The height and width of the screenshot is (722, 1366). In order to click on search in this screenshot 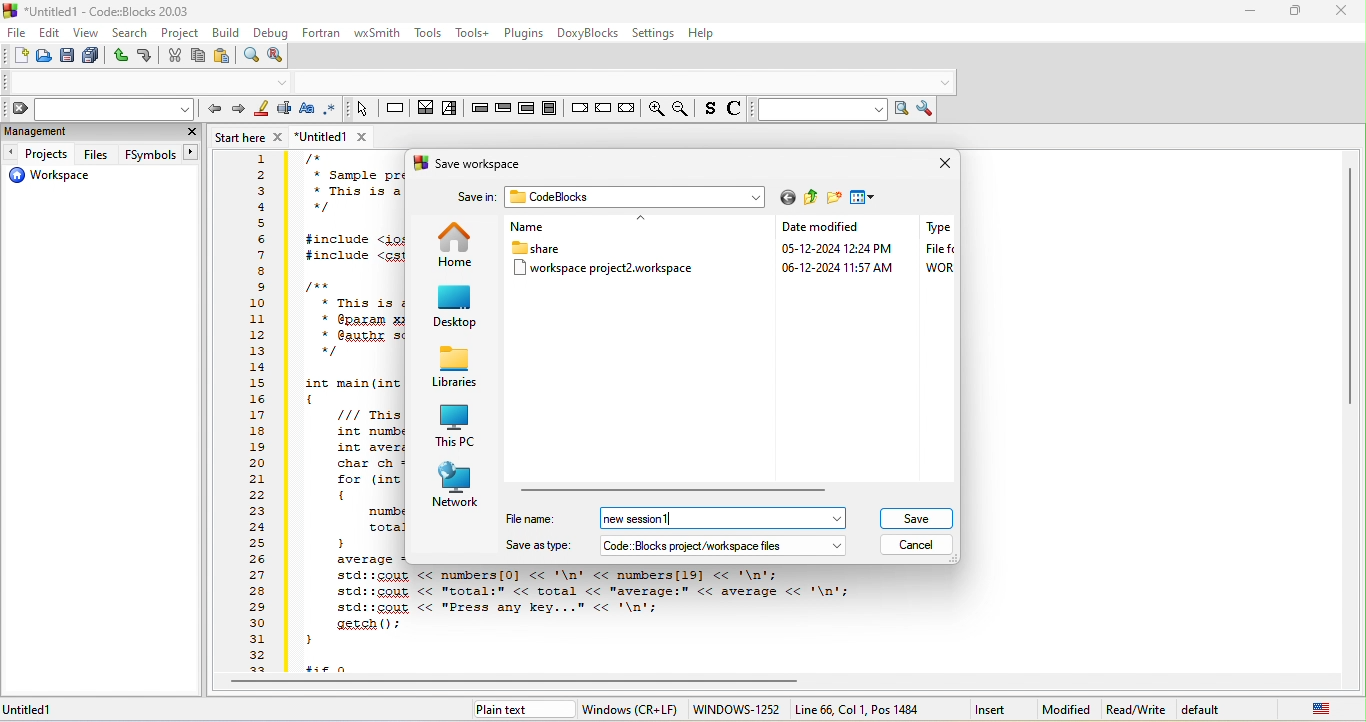, I will do `click(130, 32)`.